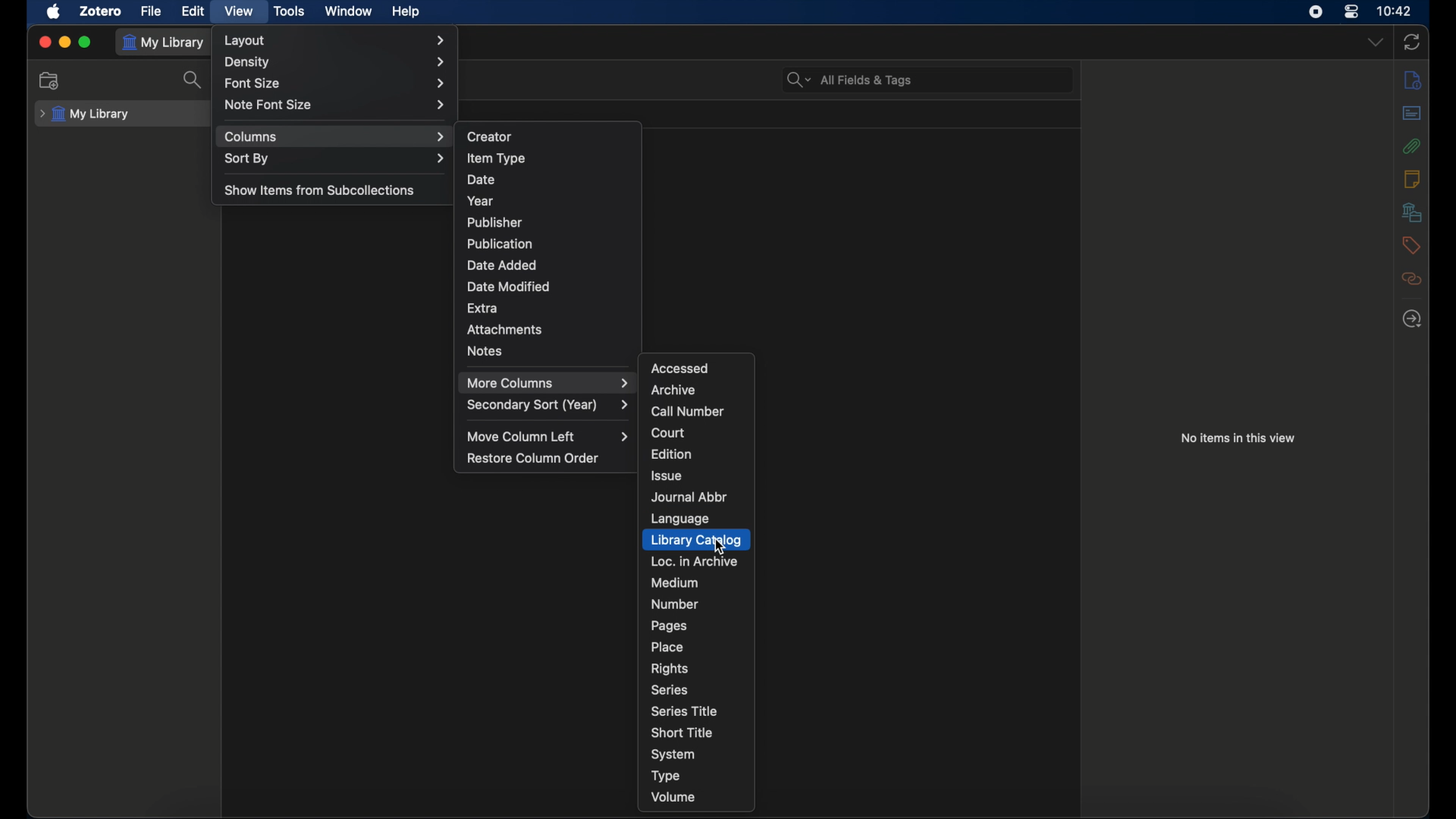 Image resolution: width=1456 pixels, height=819 pixels. What do you see at coordinates (667, 647) in the screenshot?
I see `place` at bounding box center [667, 647].